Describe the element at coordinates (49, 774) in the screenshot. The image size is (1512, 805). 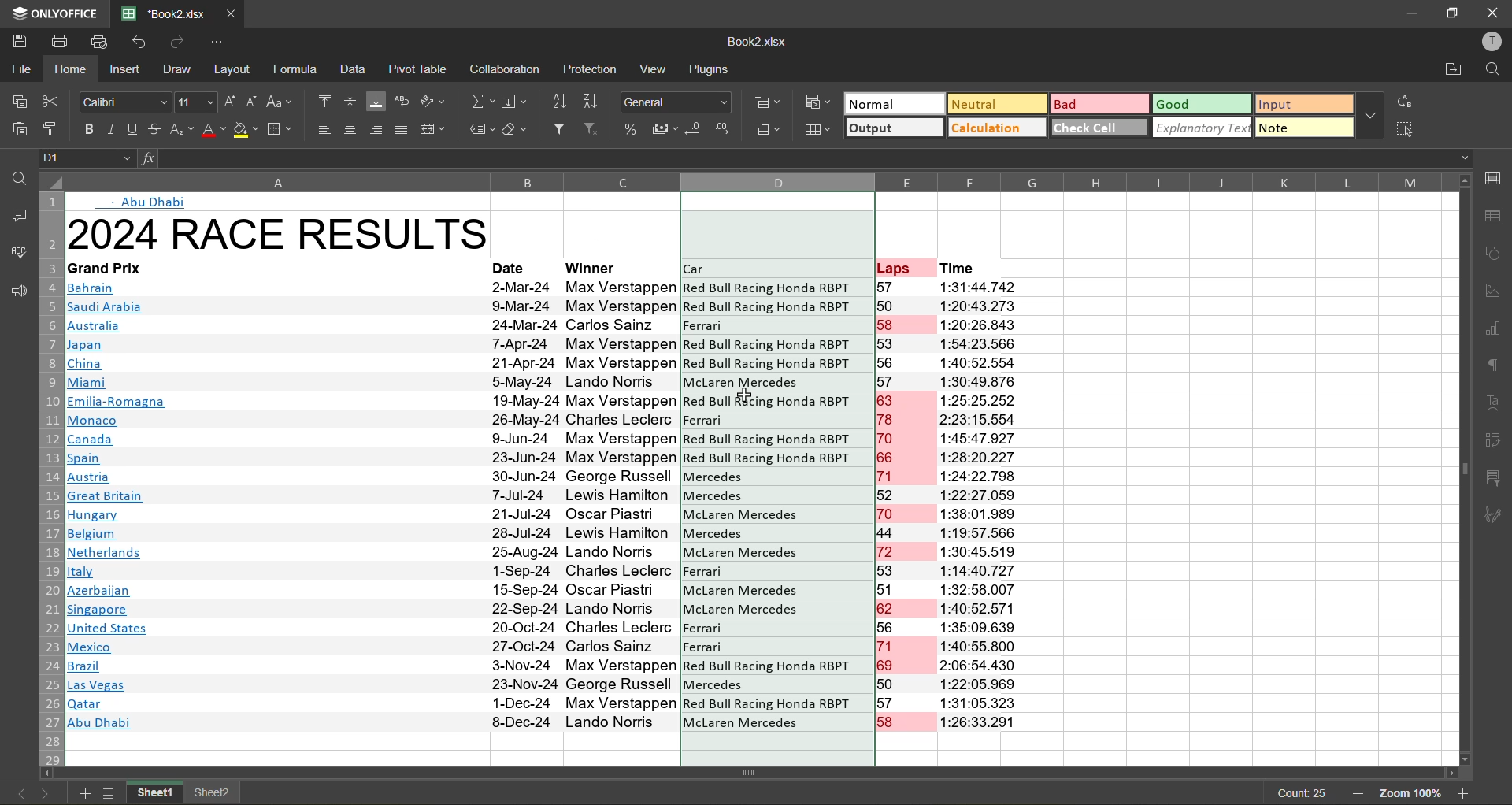
I see `move left` at that location.